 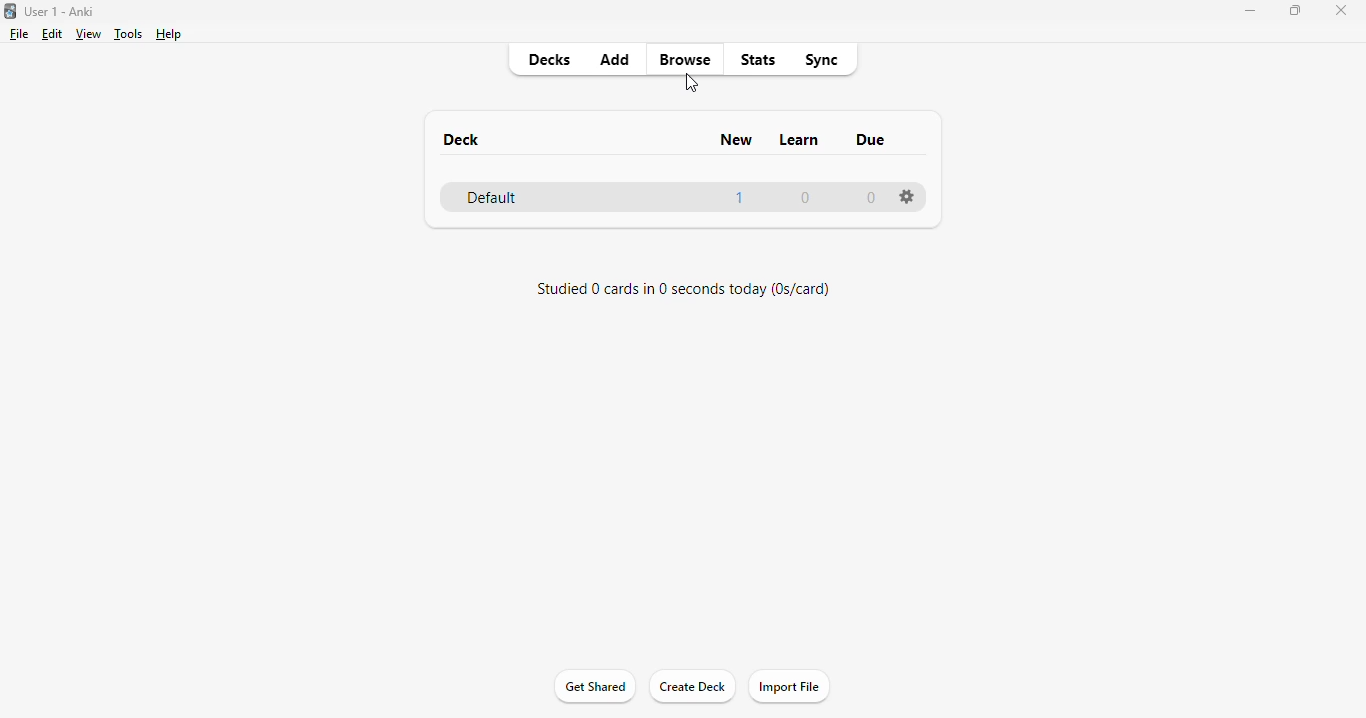 I want to click on 0, so click(x=871, y=196).